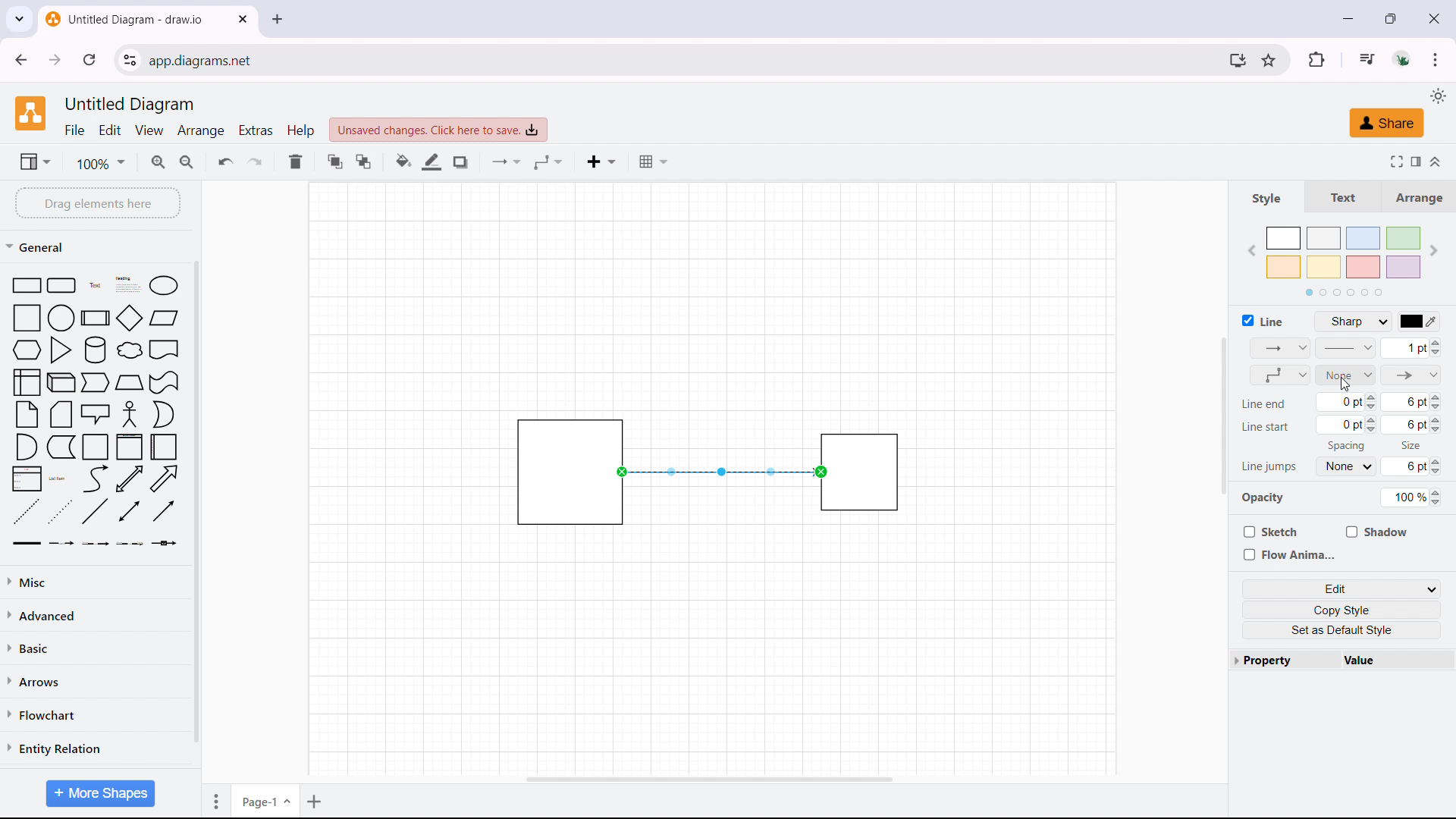 This screenshot has height=819, width=1456. What do you see at coordinates (683, 59) in the screenshot?
I see `URL space` at bounding box center [683, 59].